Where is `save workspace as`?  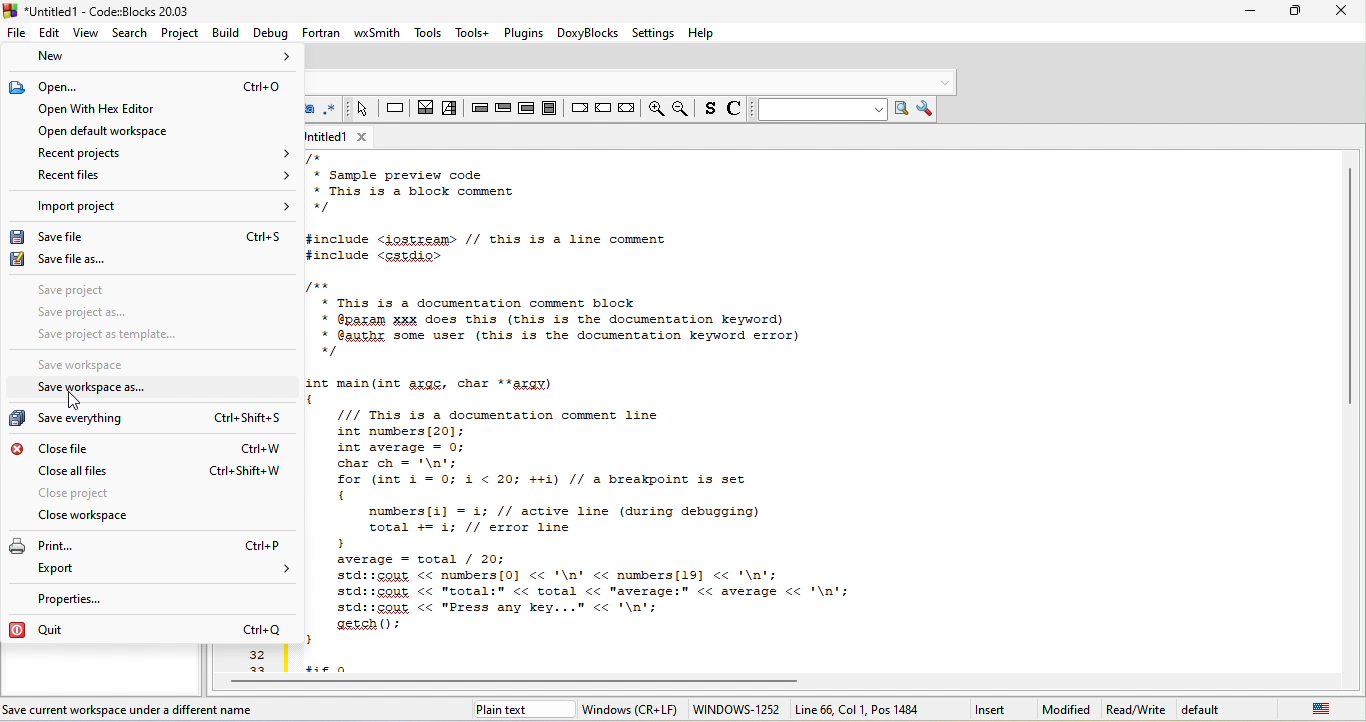
save workspace as is located at coordinates (132, 387).